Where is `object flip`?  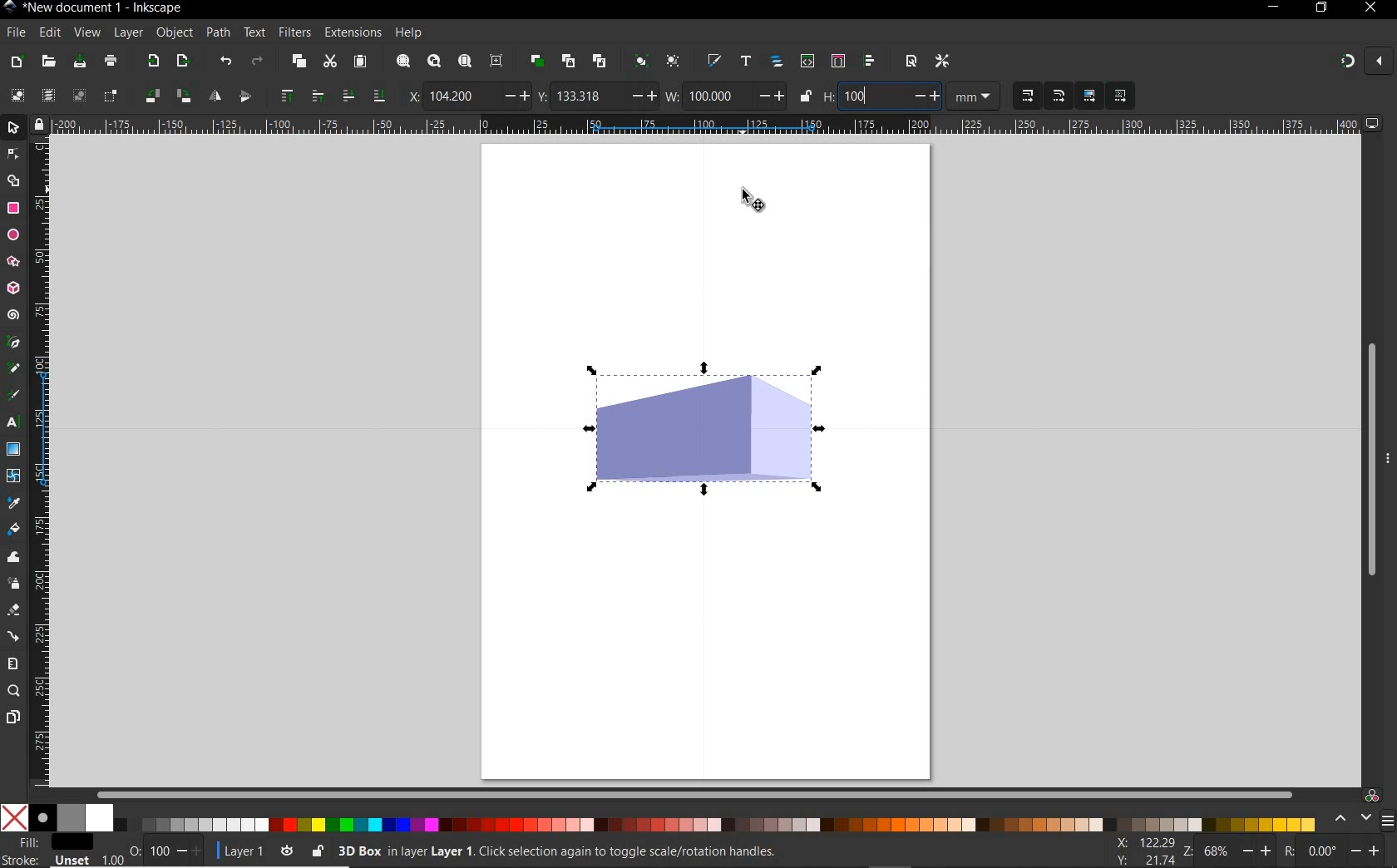 object flip is located at coordinates (249, 96).